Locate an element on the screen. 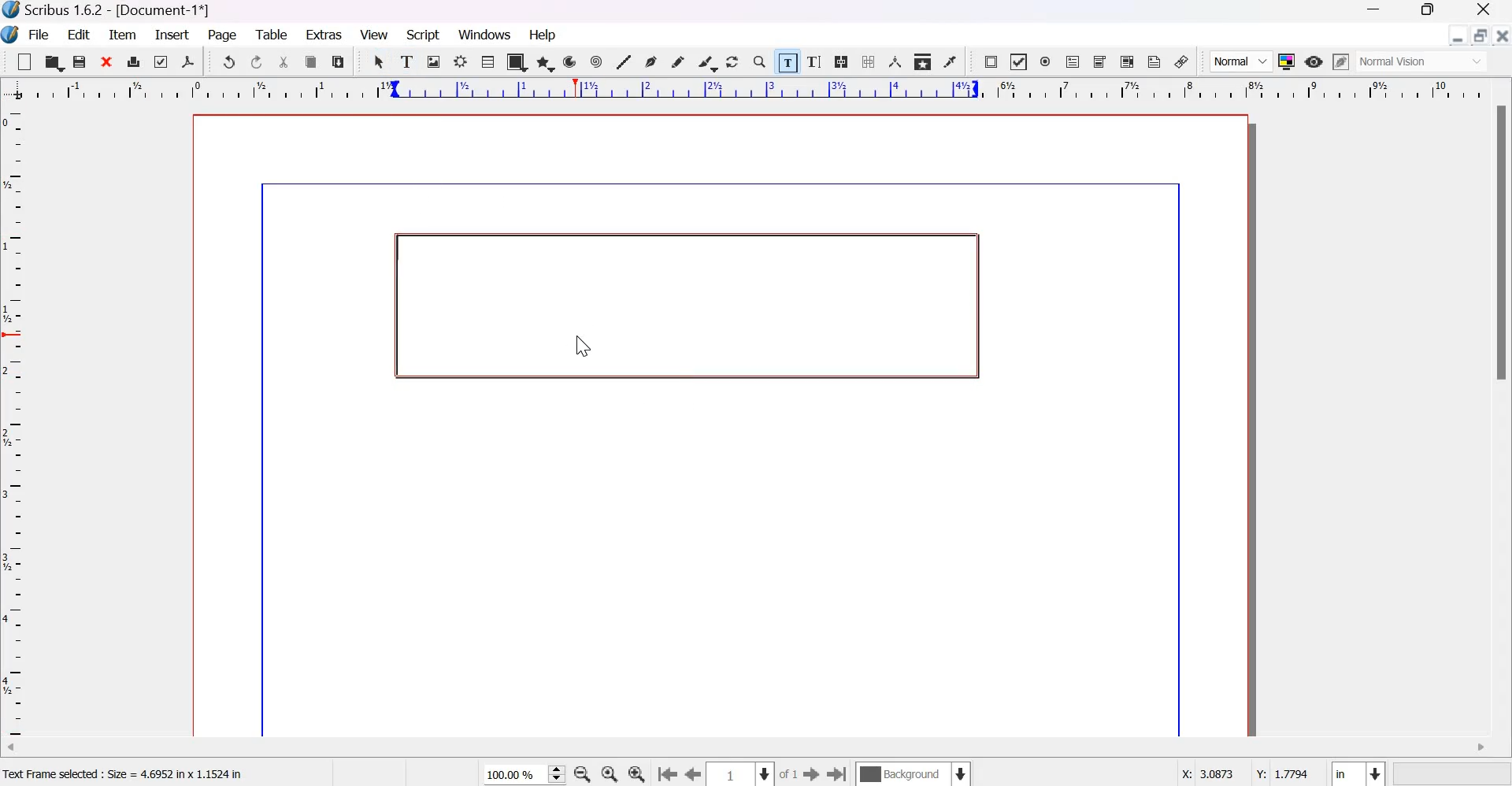 The height and width of the screenshot is (786, 1512). Normal is located at coordinates (1241, 61).